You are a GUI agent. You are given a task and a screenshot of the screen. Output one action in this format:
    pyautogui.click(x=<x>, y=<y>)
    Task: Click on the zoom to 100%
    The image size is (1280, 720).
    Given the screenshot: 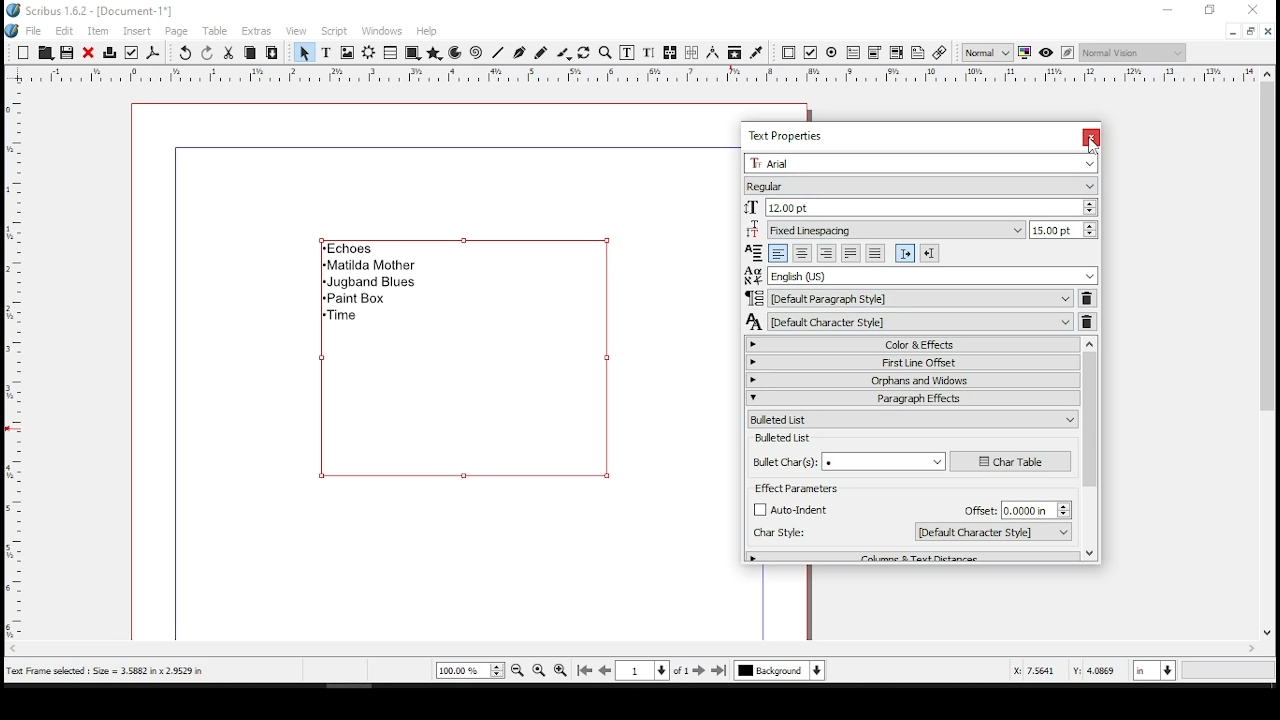 What is the action you would take?
    pyautogui.click(x=539, y=669)
    